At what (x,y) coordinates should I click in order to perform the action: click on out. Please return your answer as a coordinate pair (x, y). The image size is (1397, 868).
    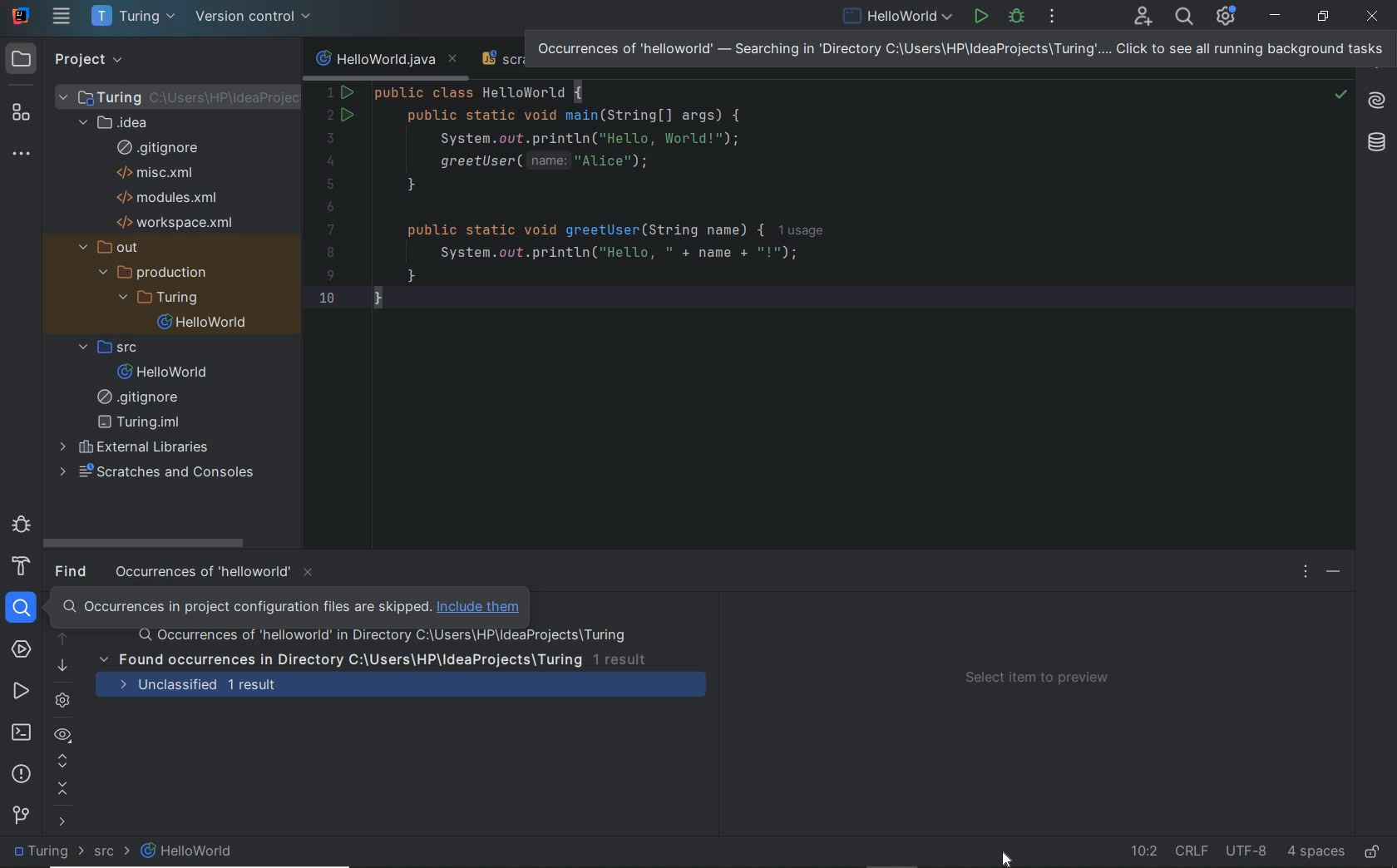
    Looking at the image, I should click on (116, 247).